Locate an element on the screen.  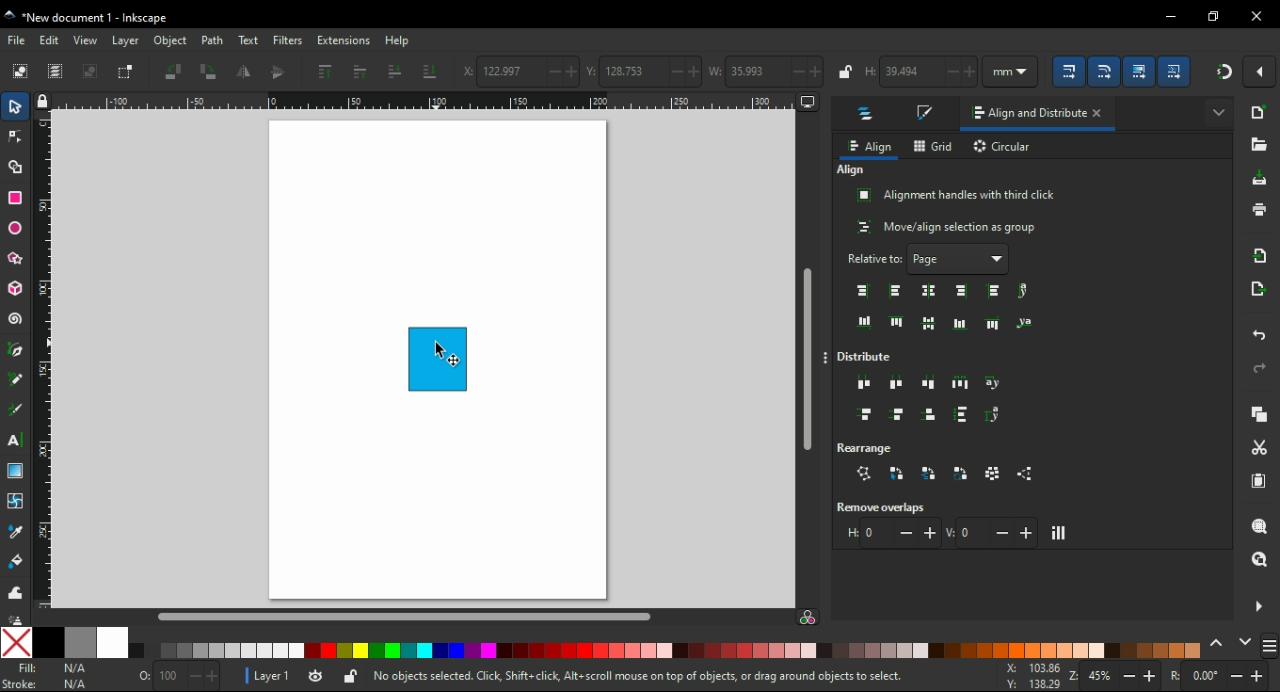
lower to bottom is located at coordinates (430, 72).